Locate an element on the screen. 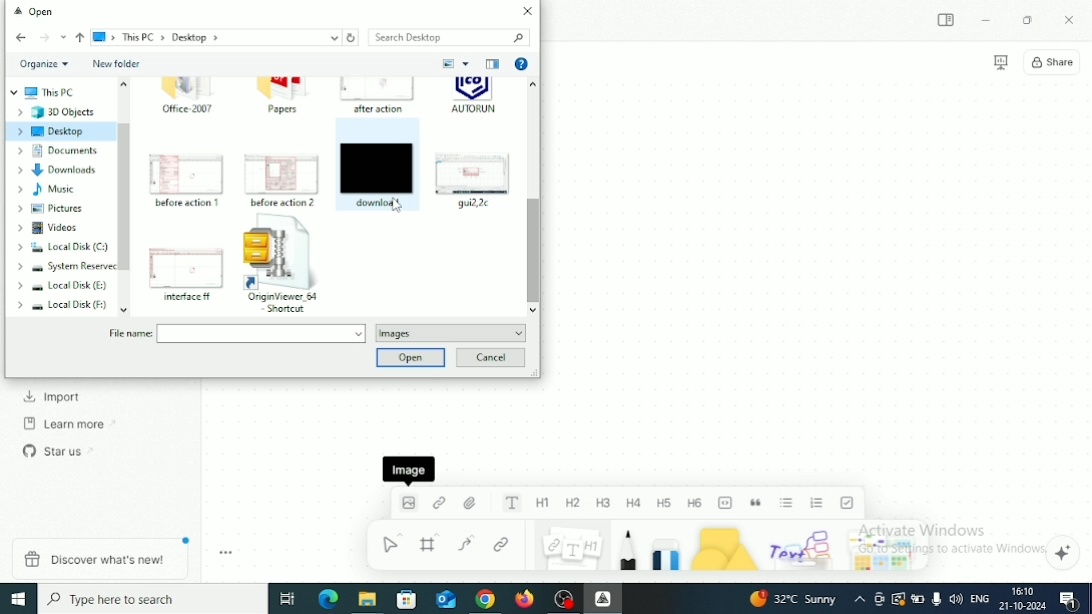 The width and height of the screenshot is (1092, 614). Heading  4 is located at coordinates (634, 504).